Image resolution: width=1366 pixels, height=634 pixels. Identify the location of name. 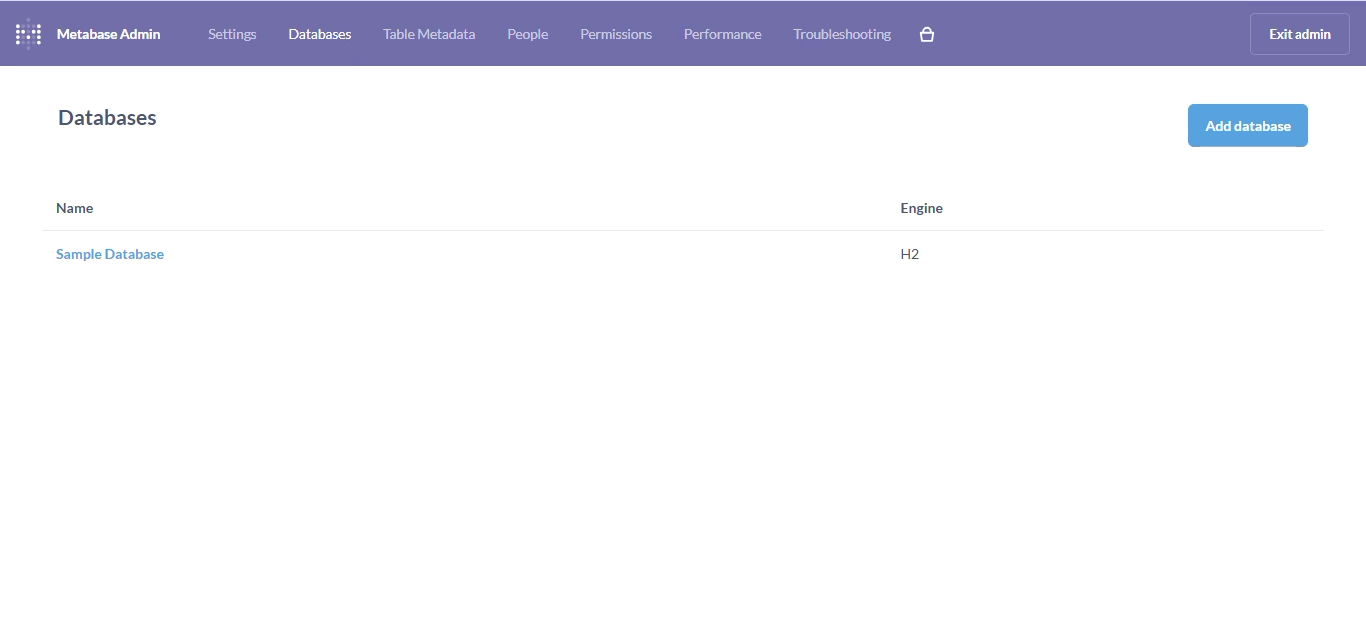
(76, 208).